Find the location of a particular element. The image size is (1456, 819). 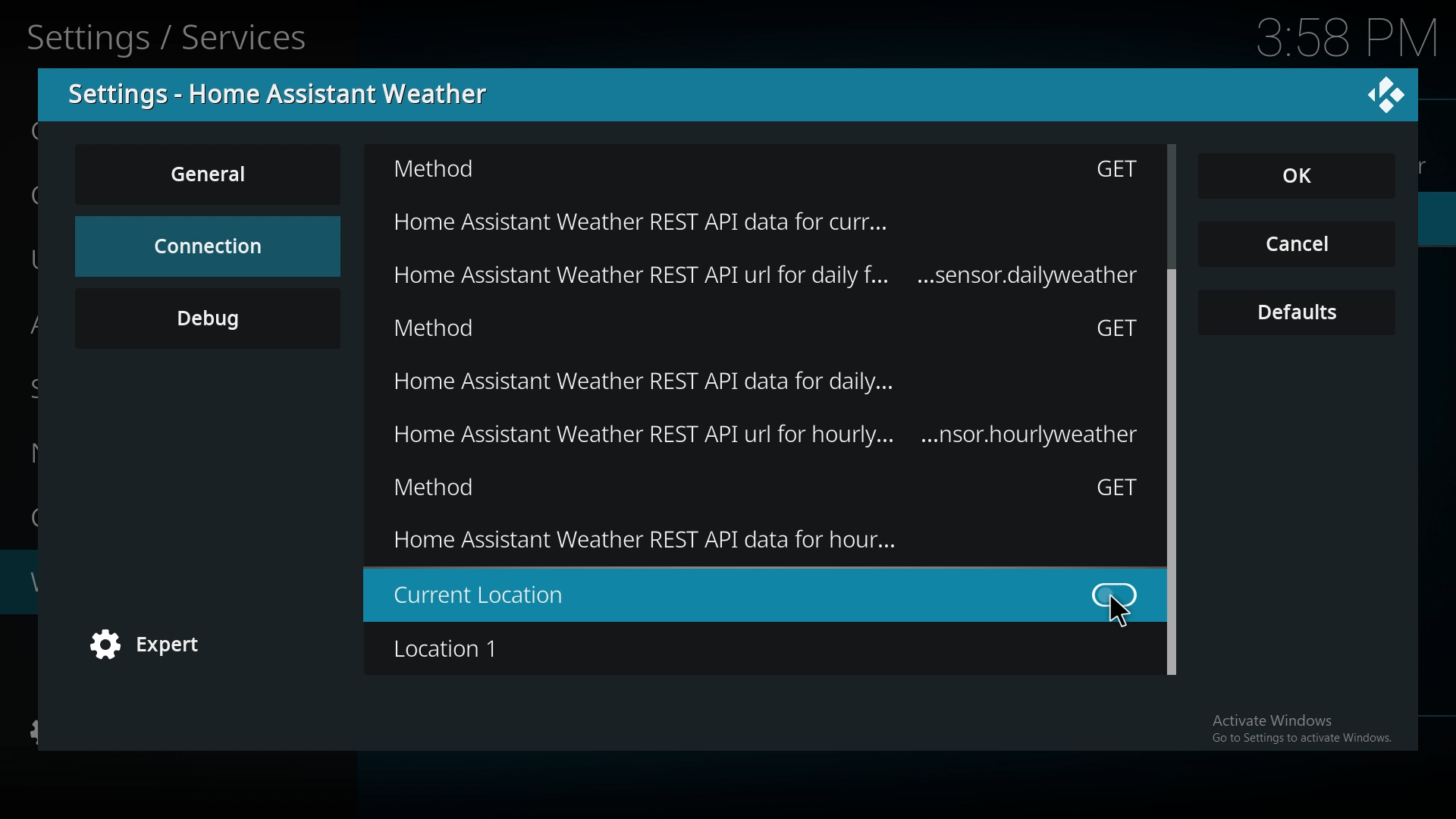

debug is located at coordinates (208, 318).